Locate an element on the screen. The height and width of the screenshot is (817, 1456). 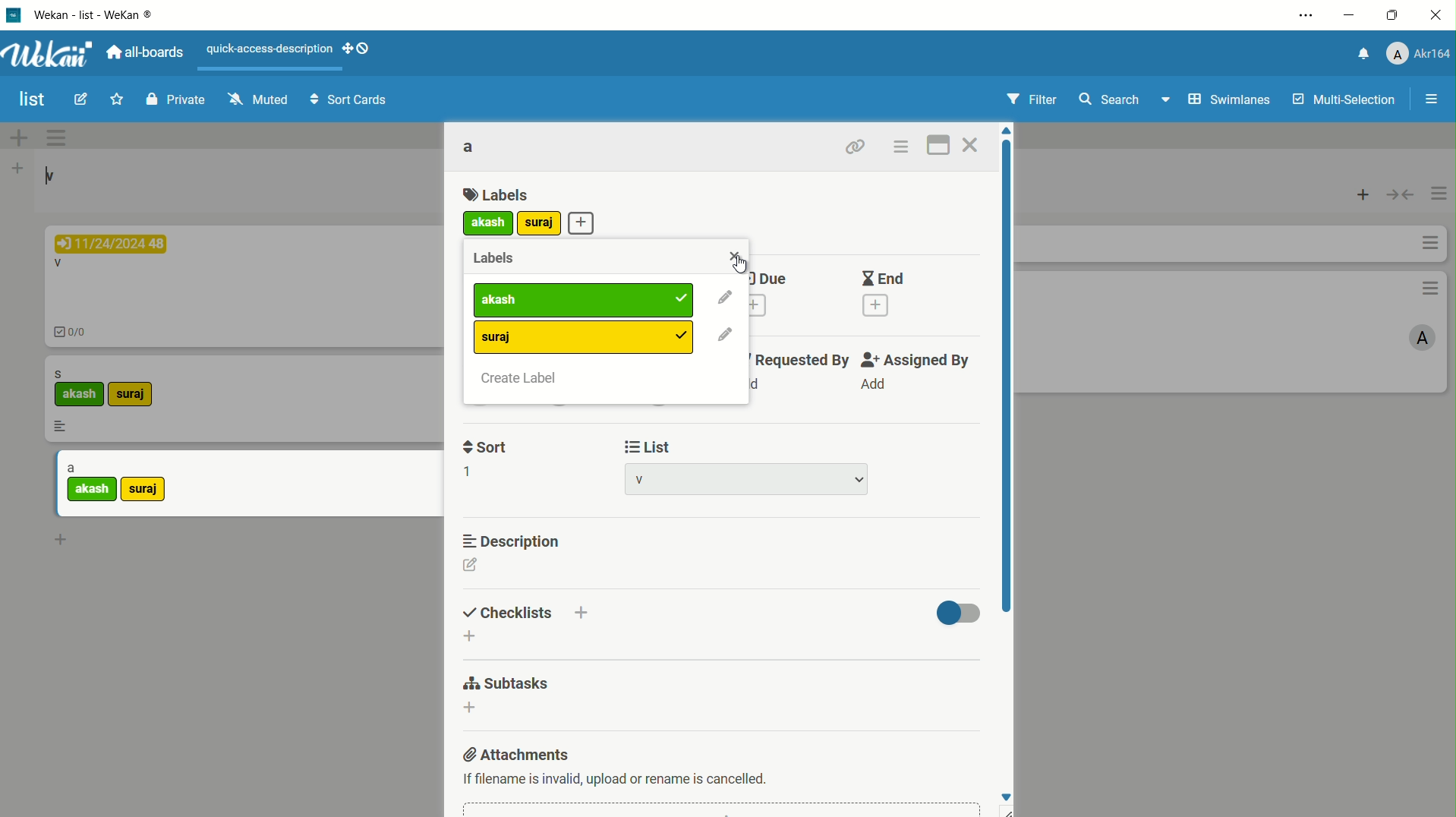
toggle button is located at coordinates (960, 611).